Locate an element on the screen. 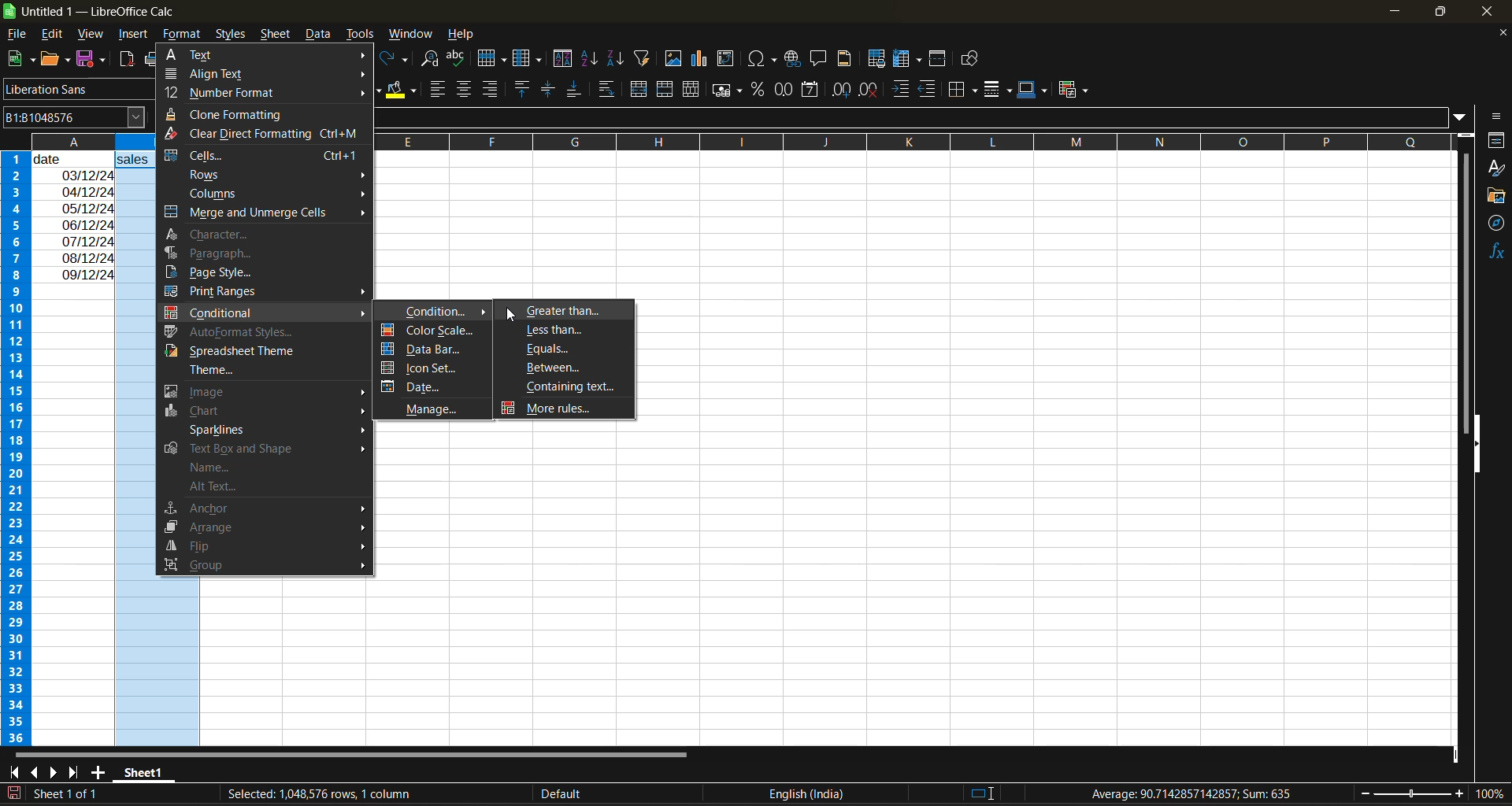  align top is located at coordinates (523, 88).